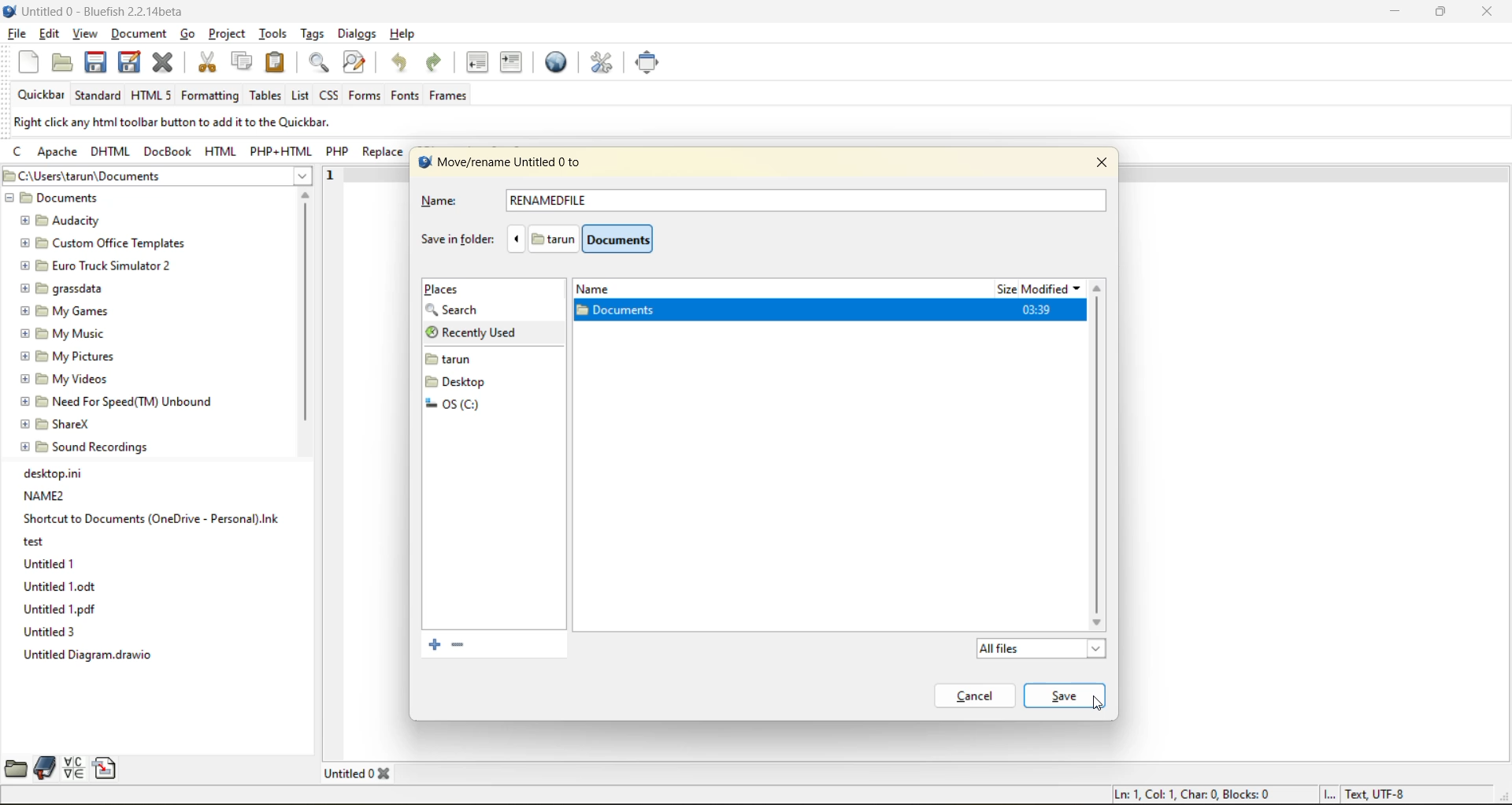 This screenshot has width=1512, height=805. What do you see at coordinates (511, 62) in the screenshot?
I see `indent` at bounding box center [511, 62].